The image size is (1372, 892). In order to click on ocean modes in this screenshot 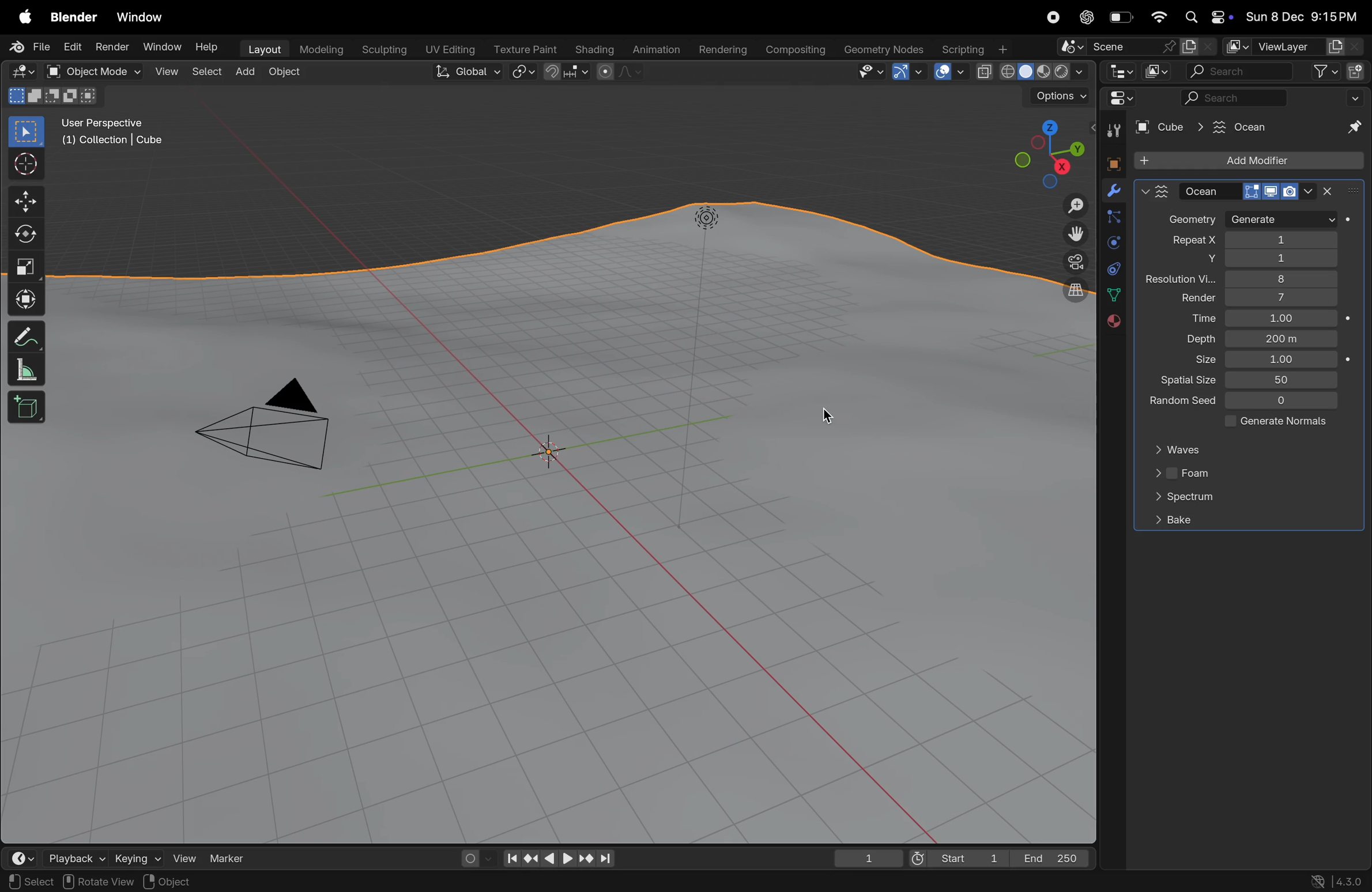, I will do `click(1250, 191)`.